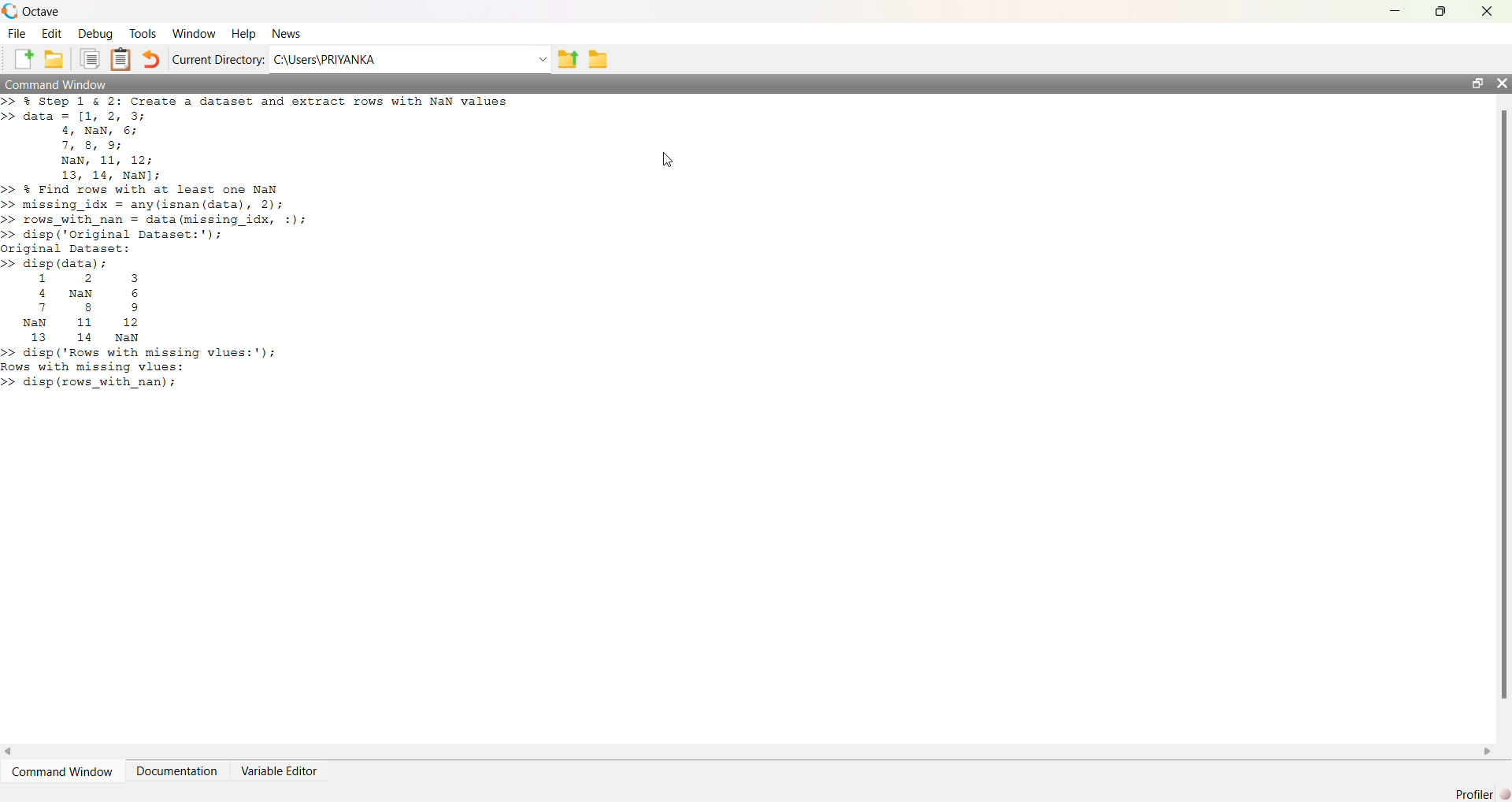  What do you see at coordinates (24, 59) in the screenshot?
I see `New File` at bounding box center [24, 59].